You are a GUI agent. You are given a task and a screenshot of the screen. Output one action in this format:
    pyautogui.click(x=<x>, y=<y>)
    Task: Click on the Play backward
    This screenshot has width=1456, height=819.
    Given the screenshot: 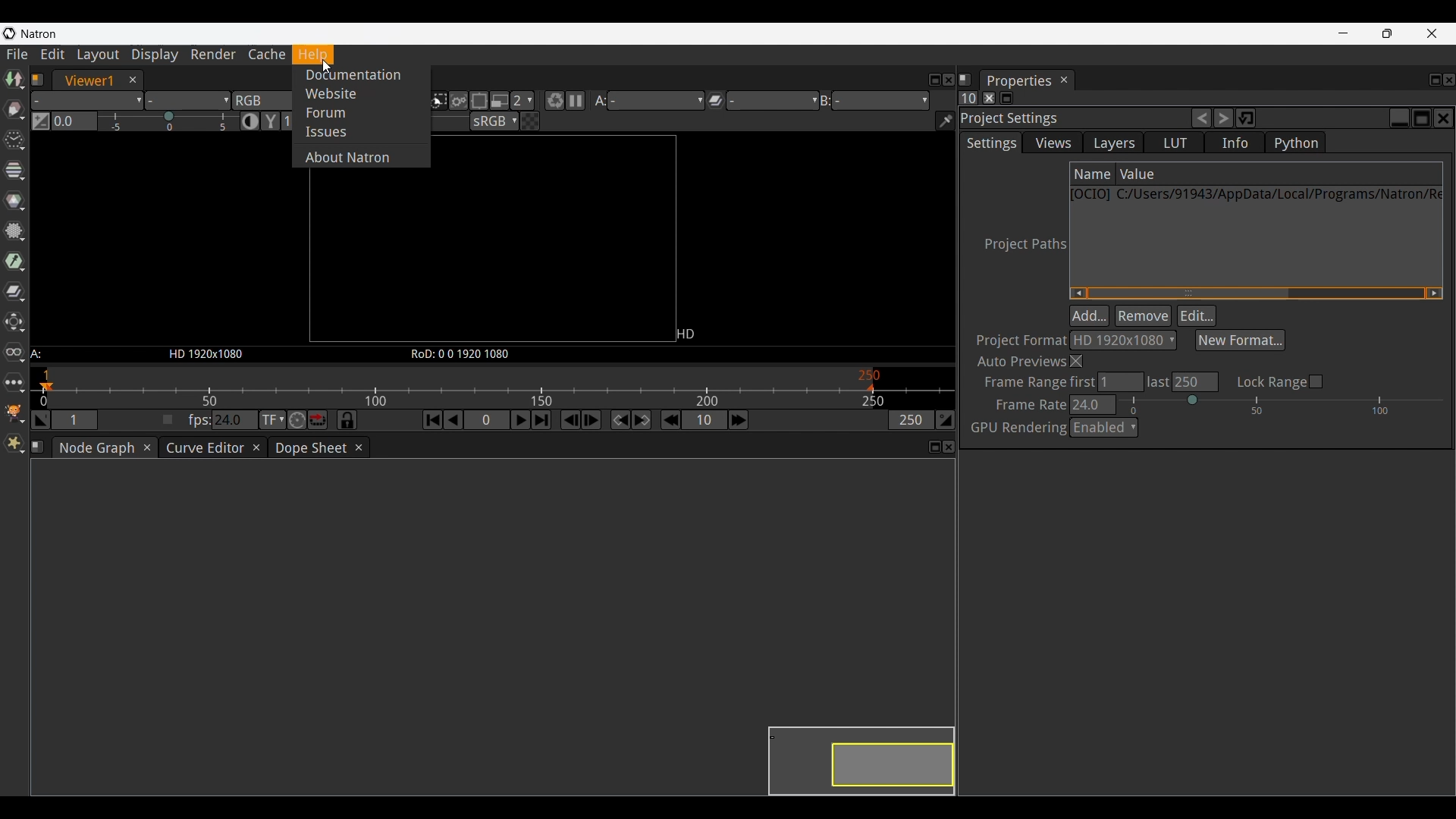 What is the action you would take?
    pyautogui.click(x=454, y=419)
    